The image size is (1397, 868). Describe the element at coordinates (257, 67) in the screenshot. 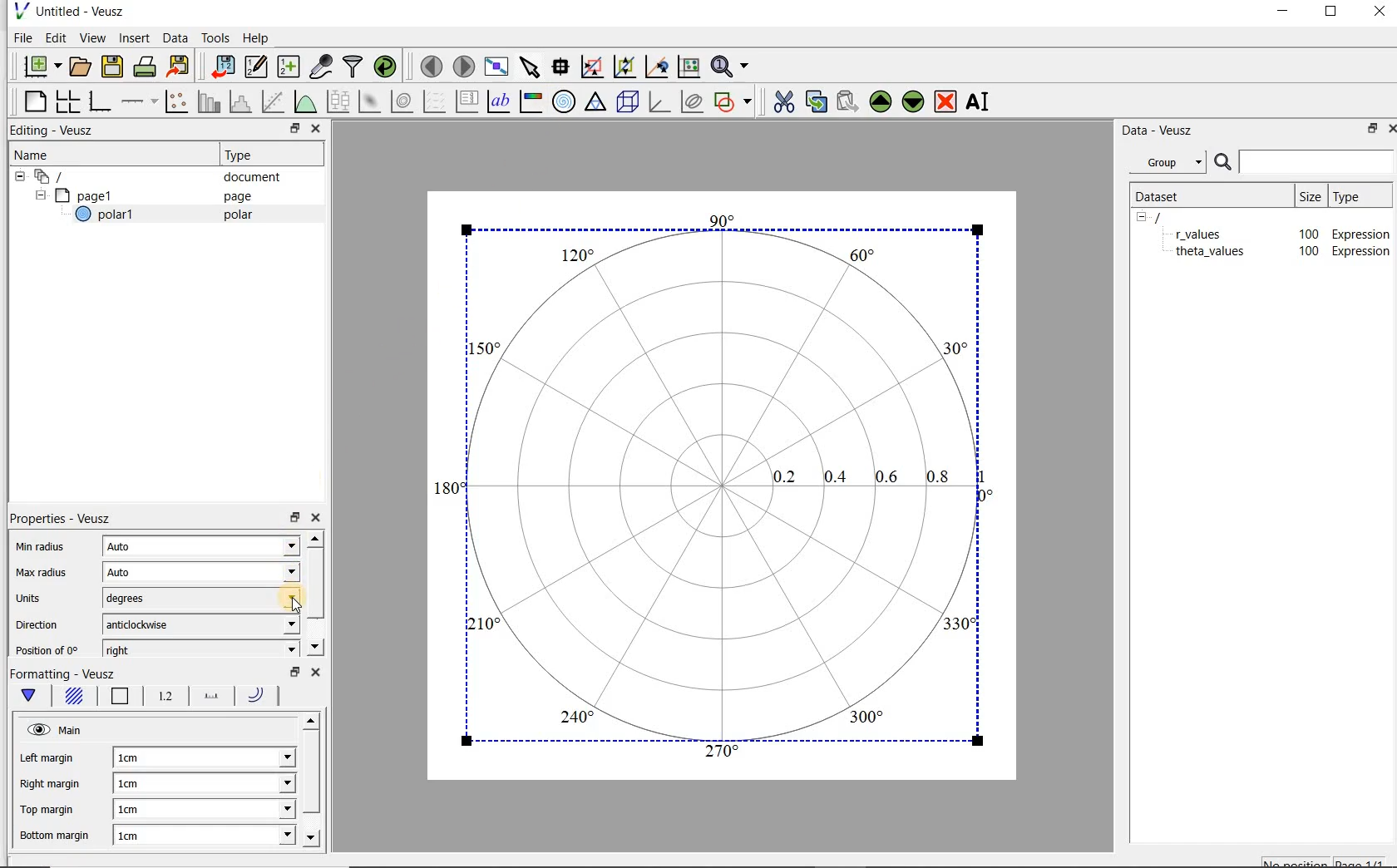

I see `Edit and enter new datasets` at that location.